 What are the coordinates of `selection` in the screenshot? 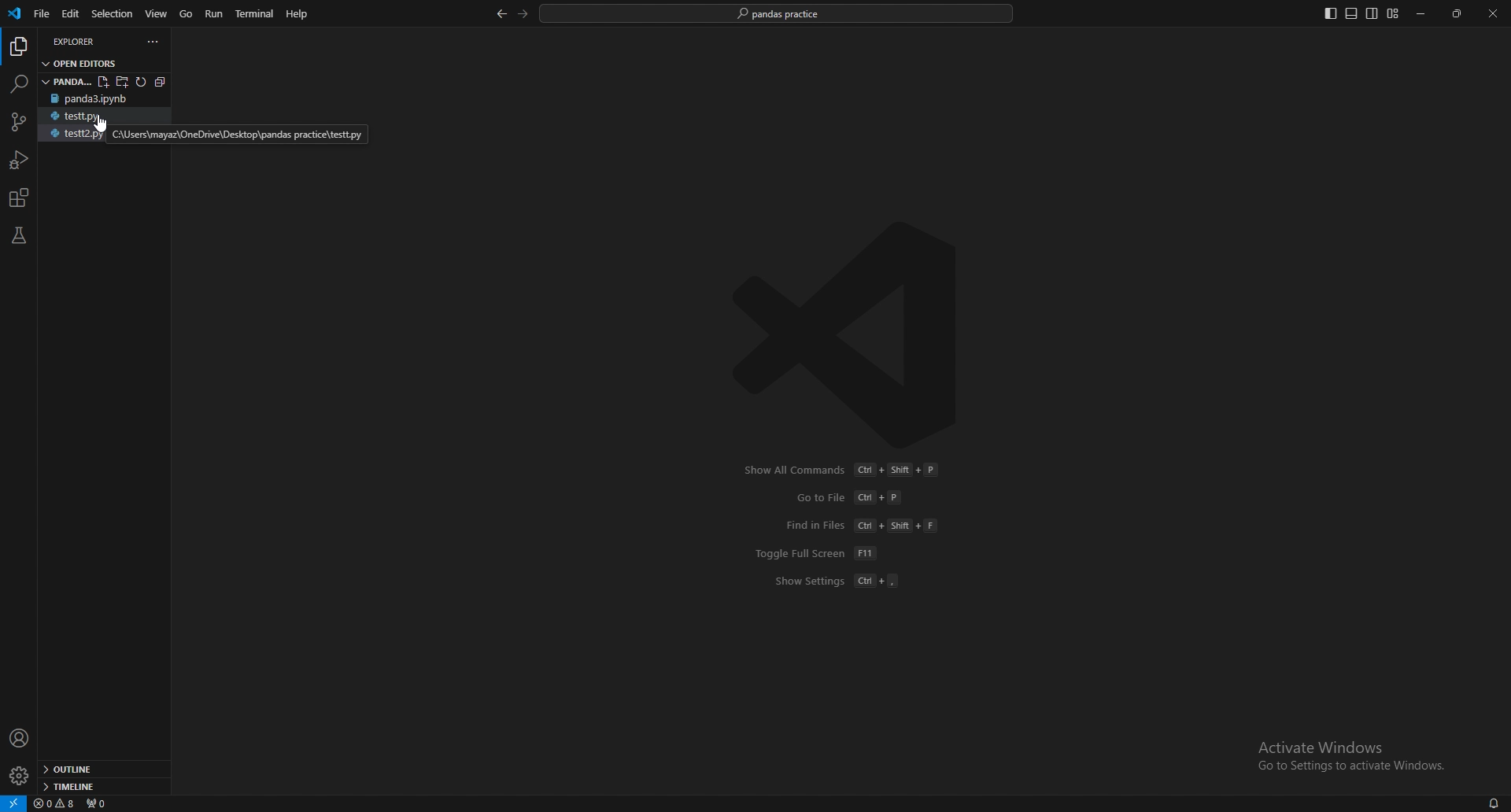 It's located at (113, 13).